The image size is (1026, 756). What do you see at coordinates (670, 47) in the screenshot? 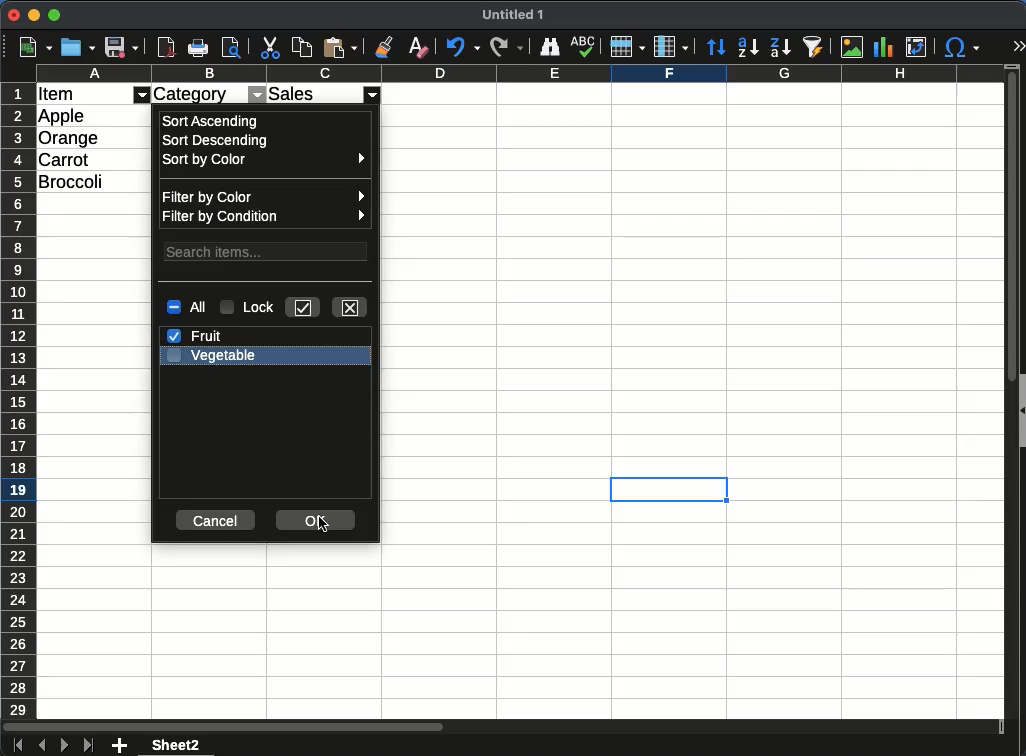
I see `column` at bounding box center [670, 47].